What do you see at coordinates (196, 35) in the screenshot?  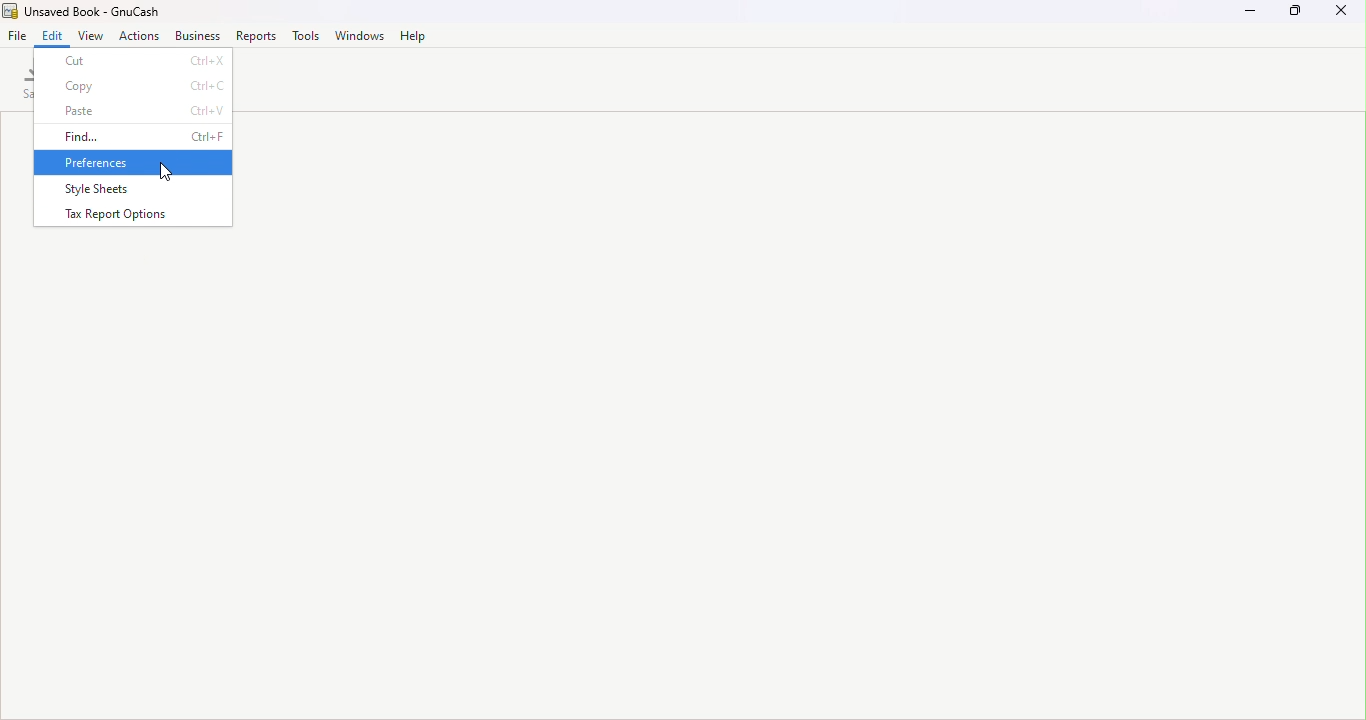 I see `Business` at bounding box center [196, 35].